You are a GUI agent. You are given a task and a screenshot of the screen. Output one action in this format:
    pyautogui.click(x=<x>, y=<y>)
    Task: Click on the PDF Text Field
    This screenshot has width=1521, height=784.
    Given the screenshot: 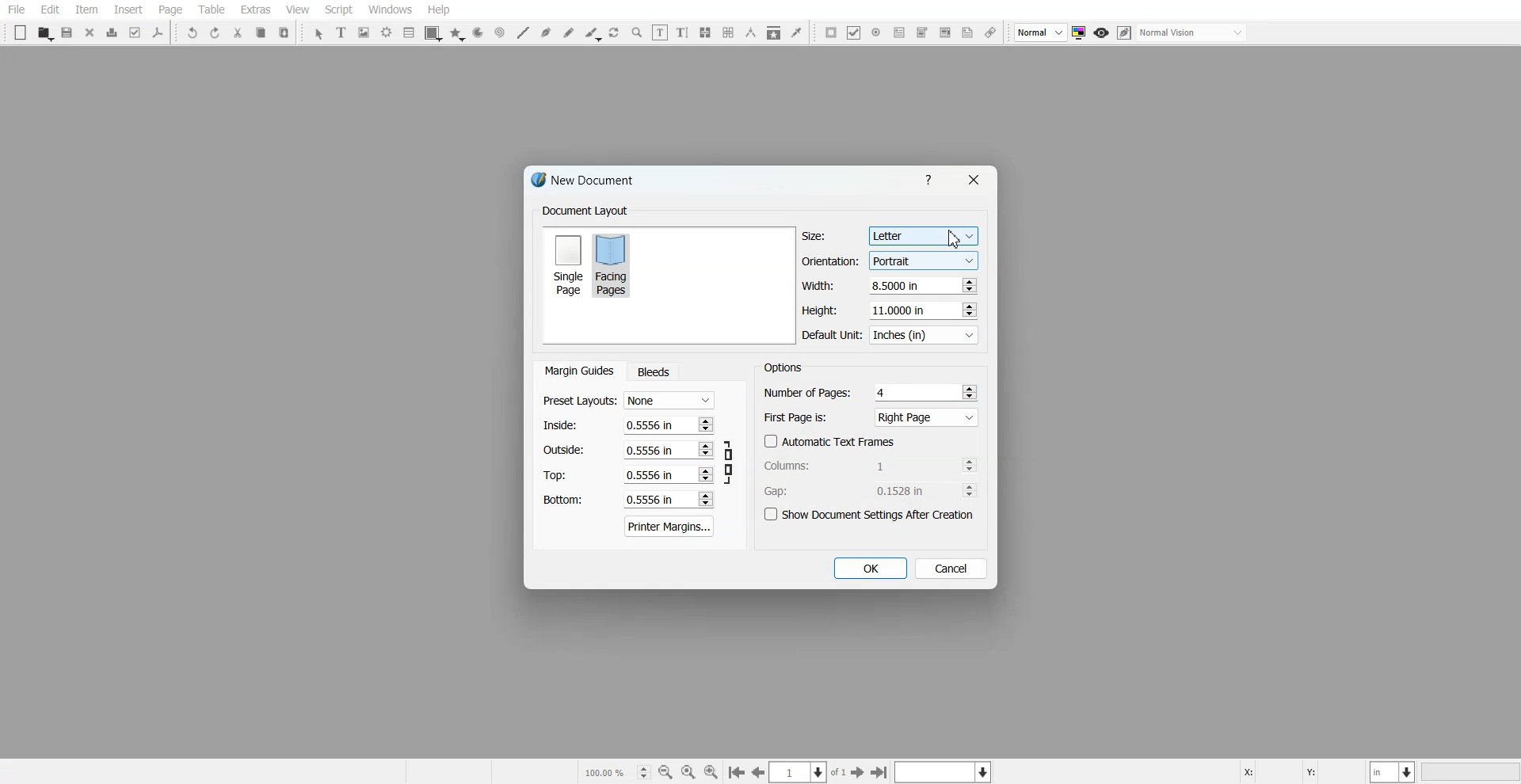 What is the action you would take?
    pyautogui.click(x=899, y=32)
    